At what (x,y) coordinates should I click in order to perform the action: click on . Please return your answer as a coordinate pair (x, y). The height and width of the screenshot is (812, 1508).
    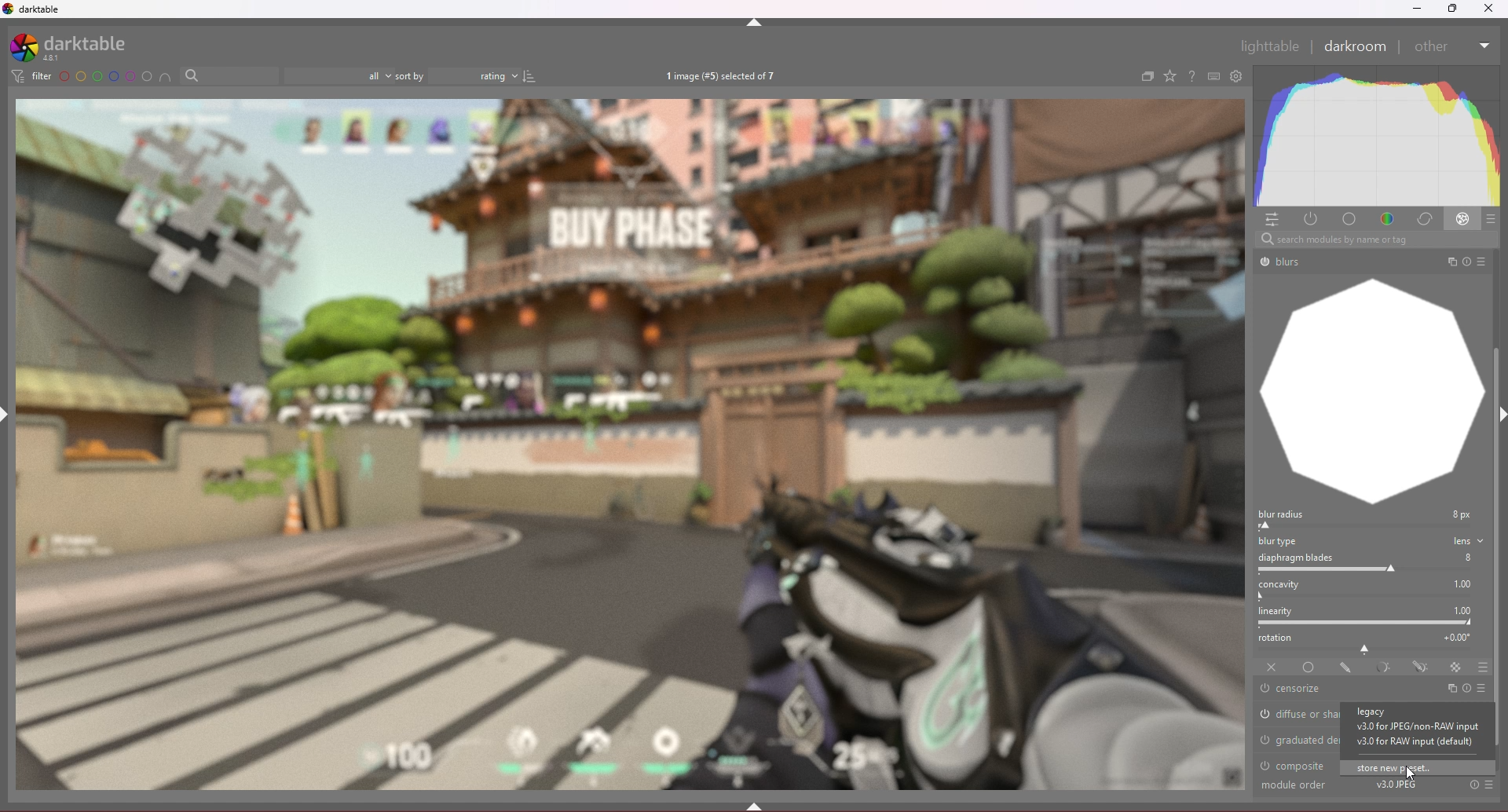
    Looking at the image, I should click on (1470, 262).